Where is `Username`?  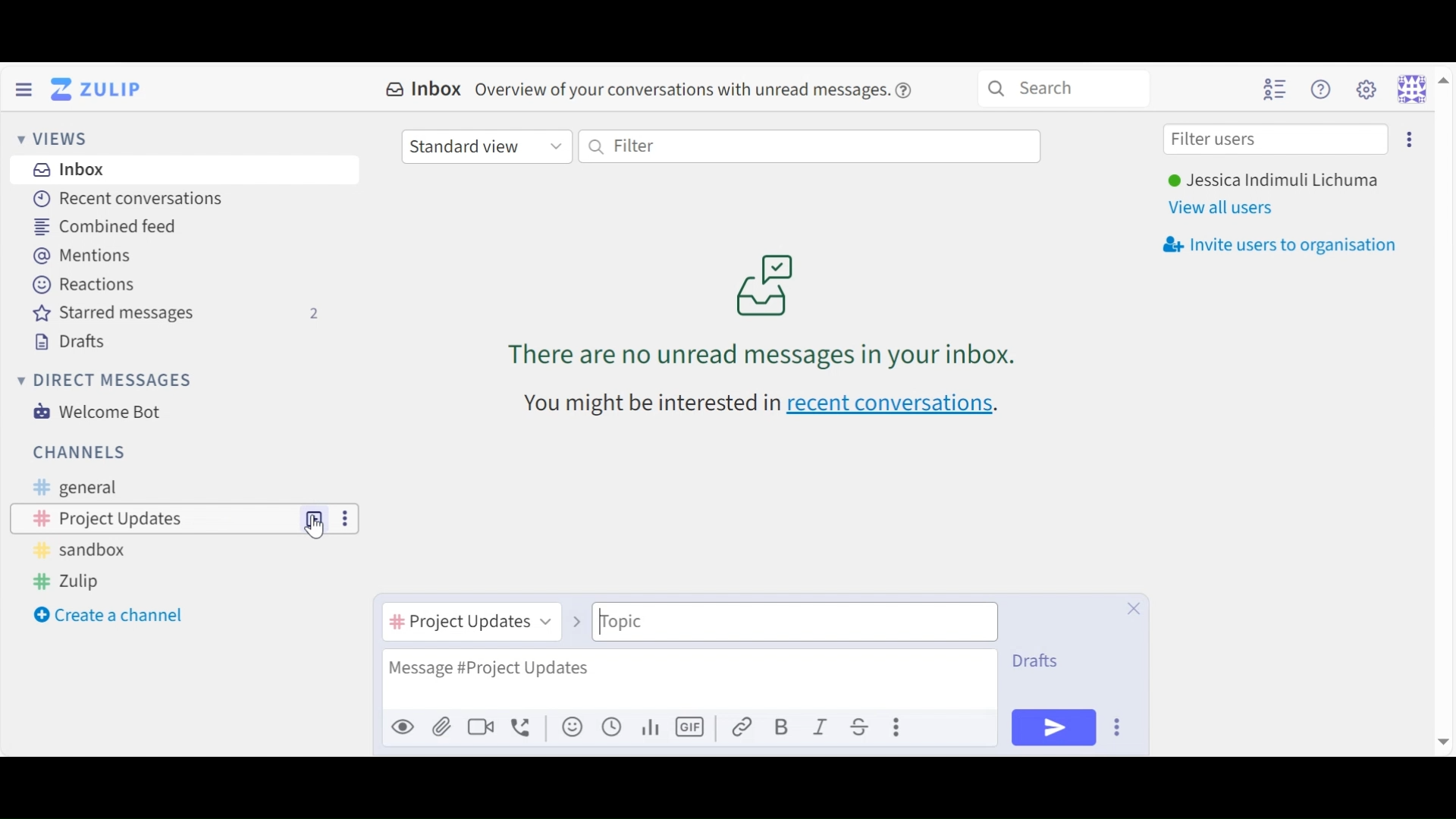 Username is located at coordinates (1272, 181).